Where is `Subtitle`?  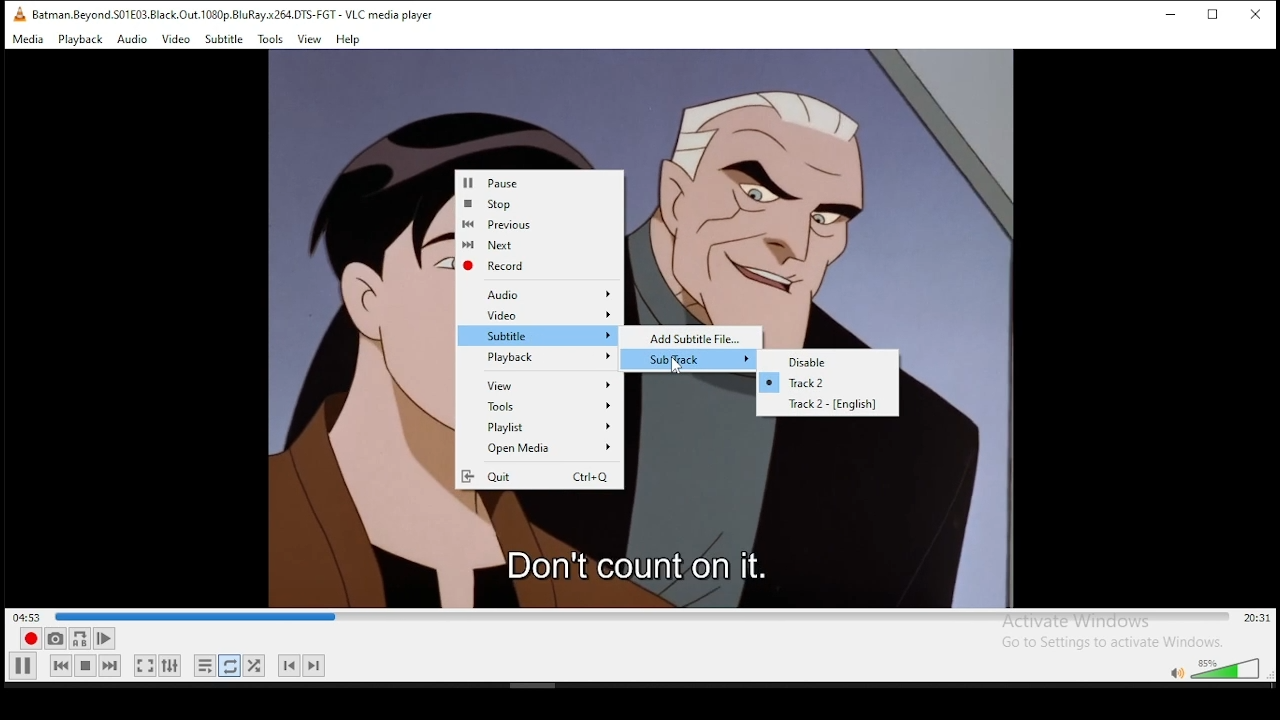
Subtitle is located at coordinates (543, 335).